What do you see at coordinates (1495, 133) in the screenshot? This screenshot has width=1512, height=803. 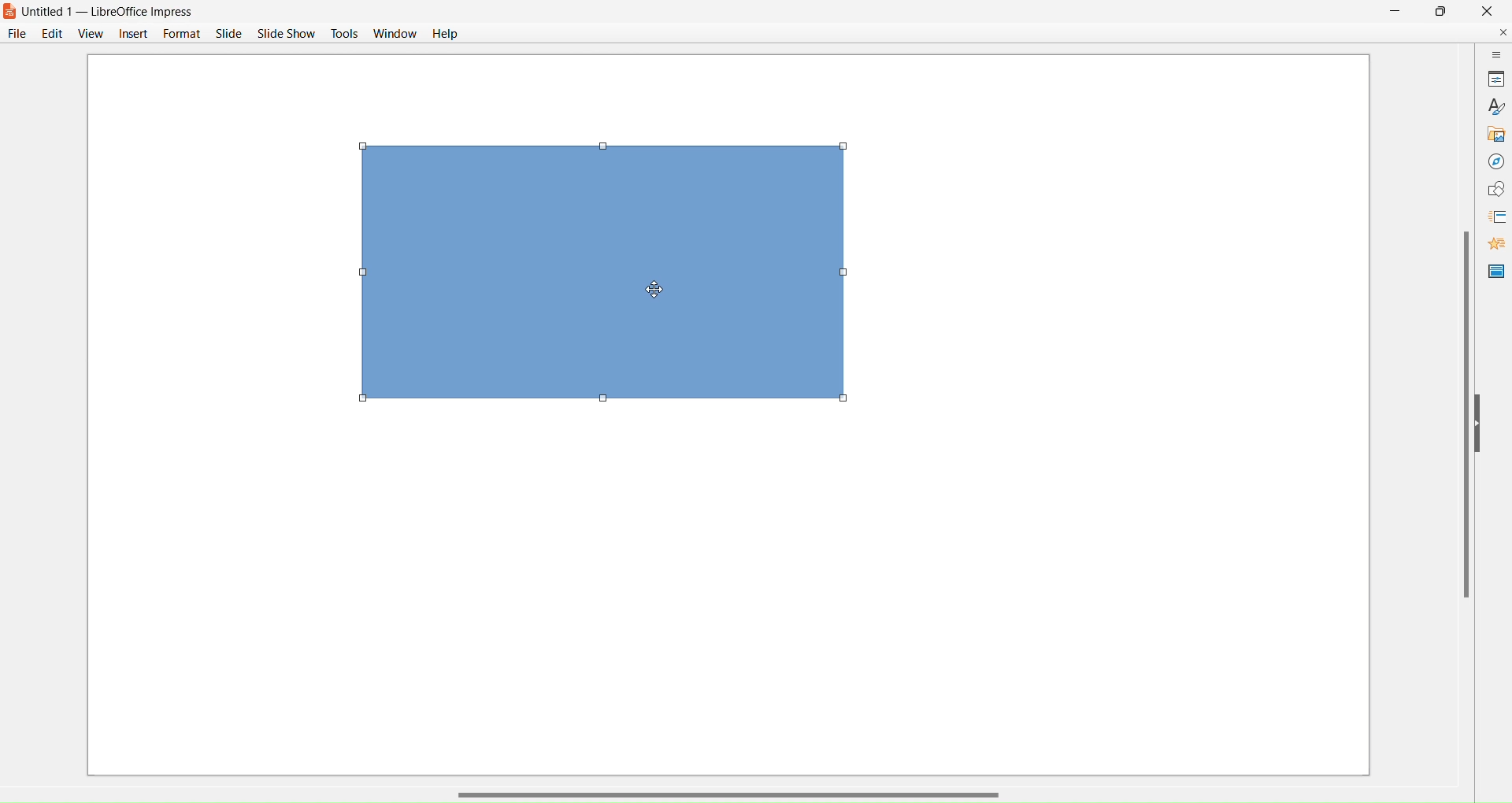 I see `Gallery` at bounding box center [1495, 133].